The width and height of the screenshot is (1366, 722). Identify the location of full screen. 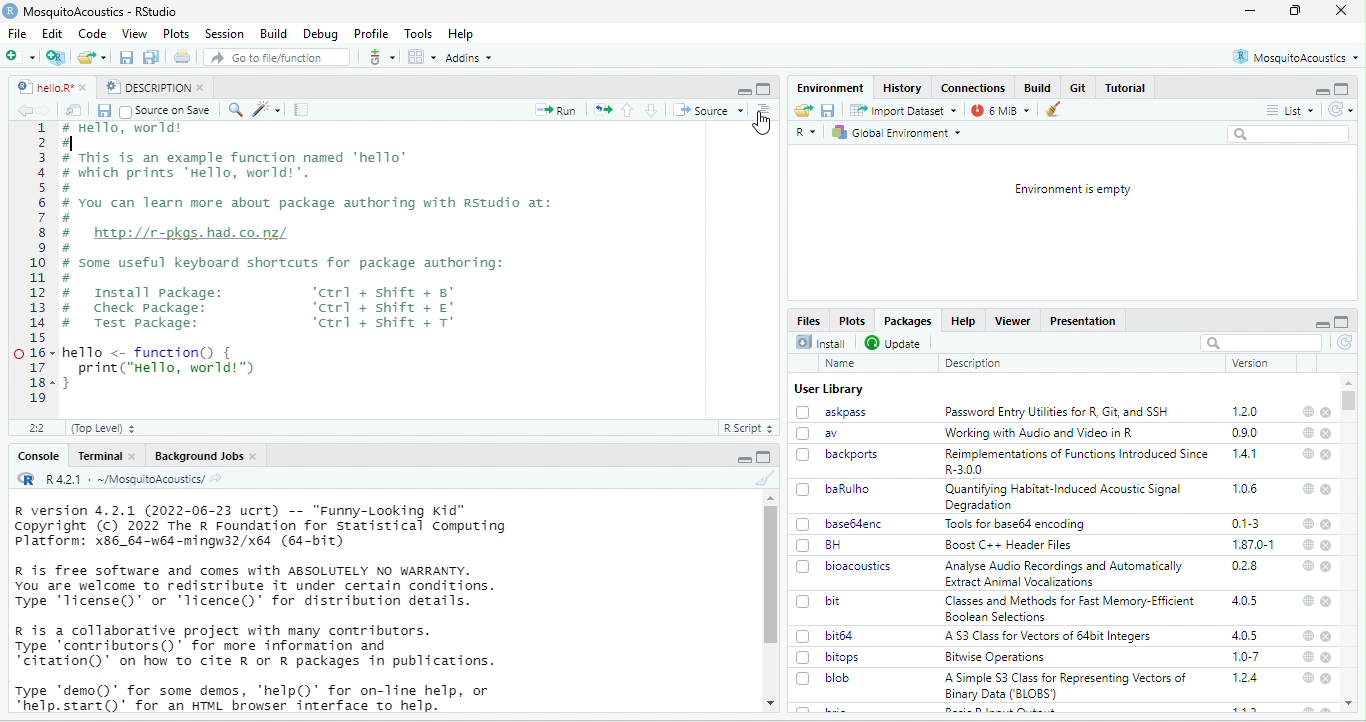
(764, 89).